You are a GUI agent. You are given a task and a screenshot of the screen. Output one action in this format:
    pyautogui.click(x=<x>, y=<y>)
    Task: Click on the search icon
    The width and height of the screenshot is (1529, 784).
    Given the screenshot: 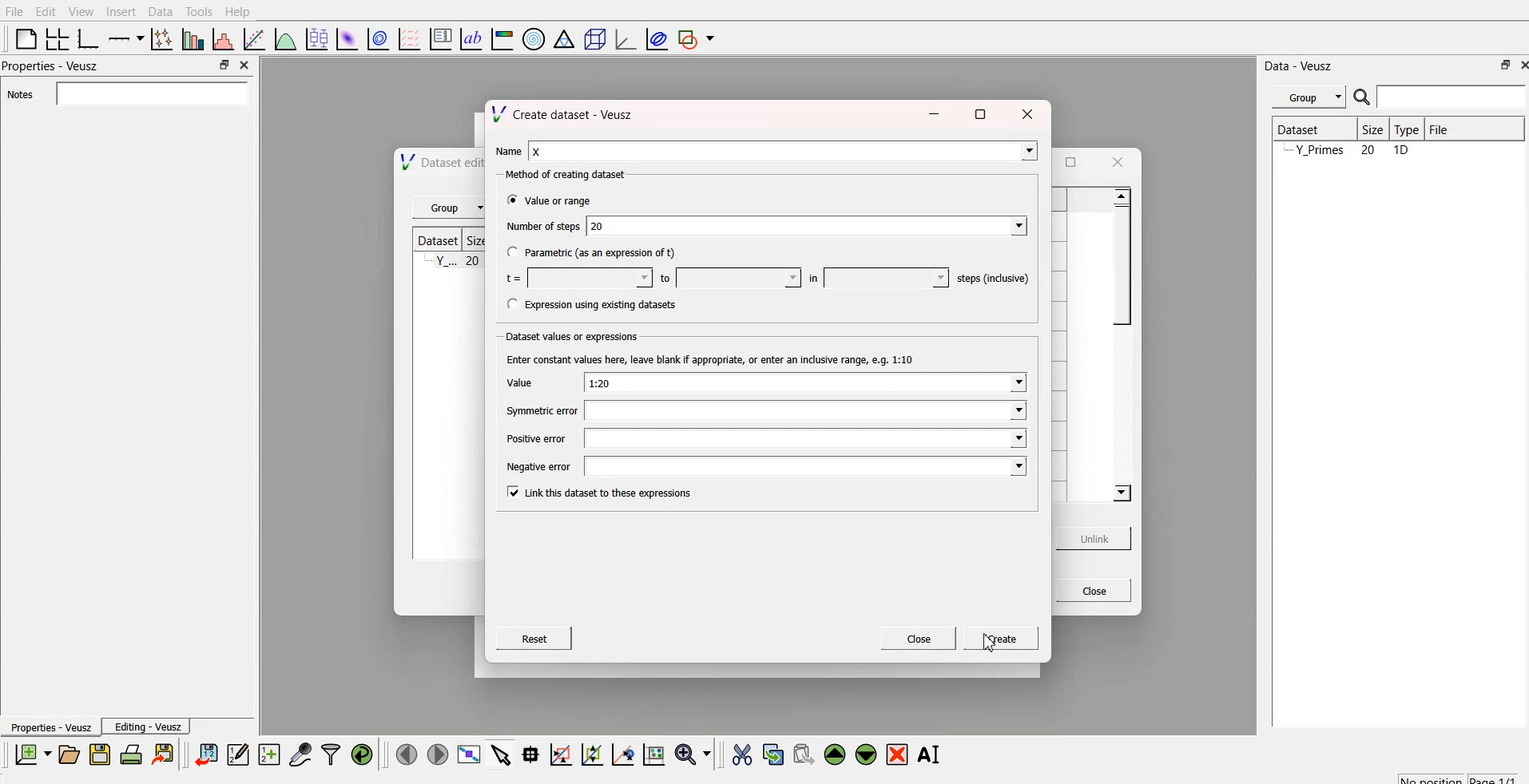 What is the action you would take?
    pyautogui.click(x=1364, y=99)
    